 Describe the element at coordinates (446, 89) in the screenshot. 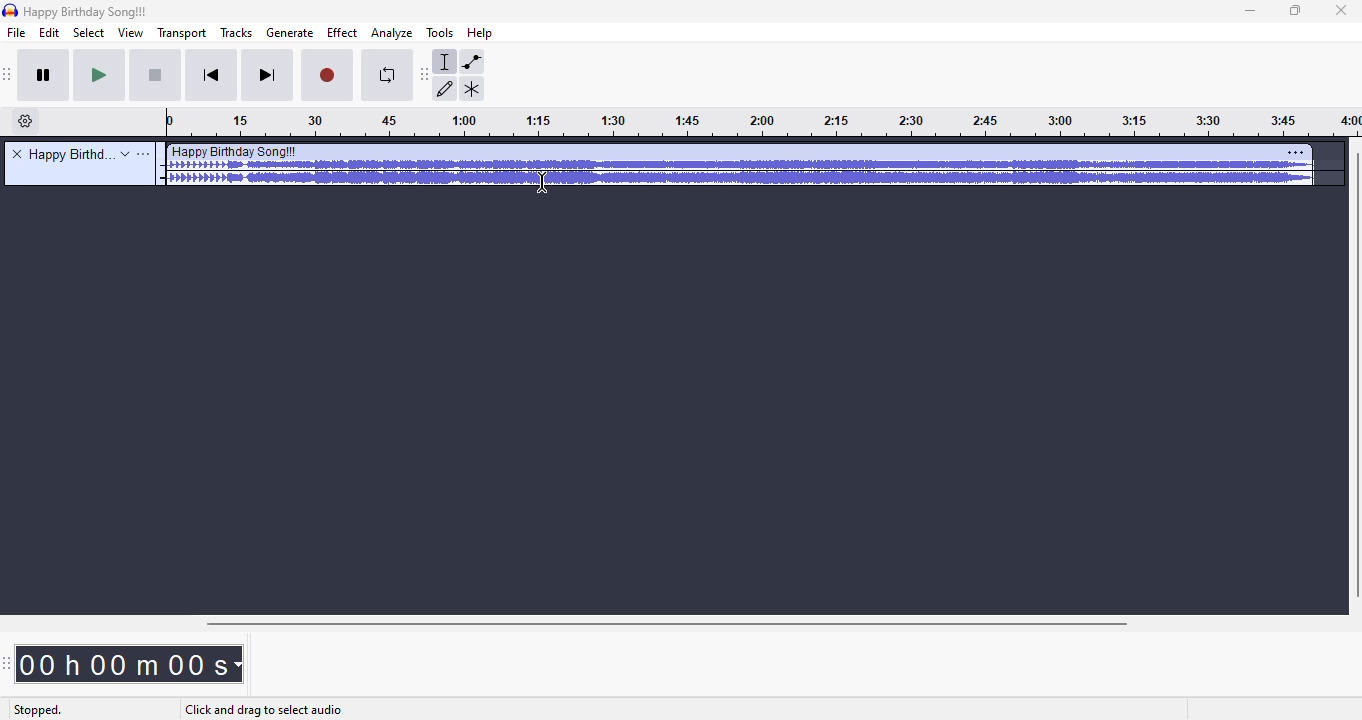

I see `draw tool` at that location.